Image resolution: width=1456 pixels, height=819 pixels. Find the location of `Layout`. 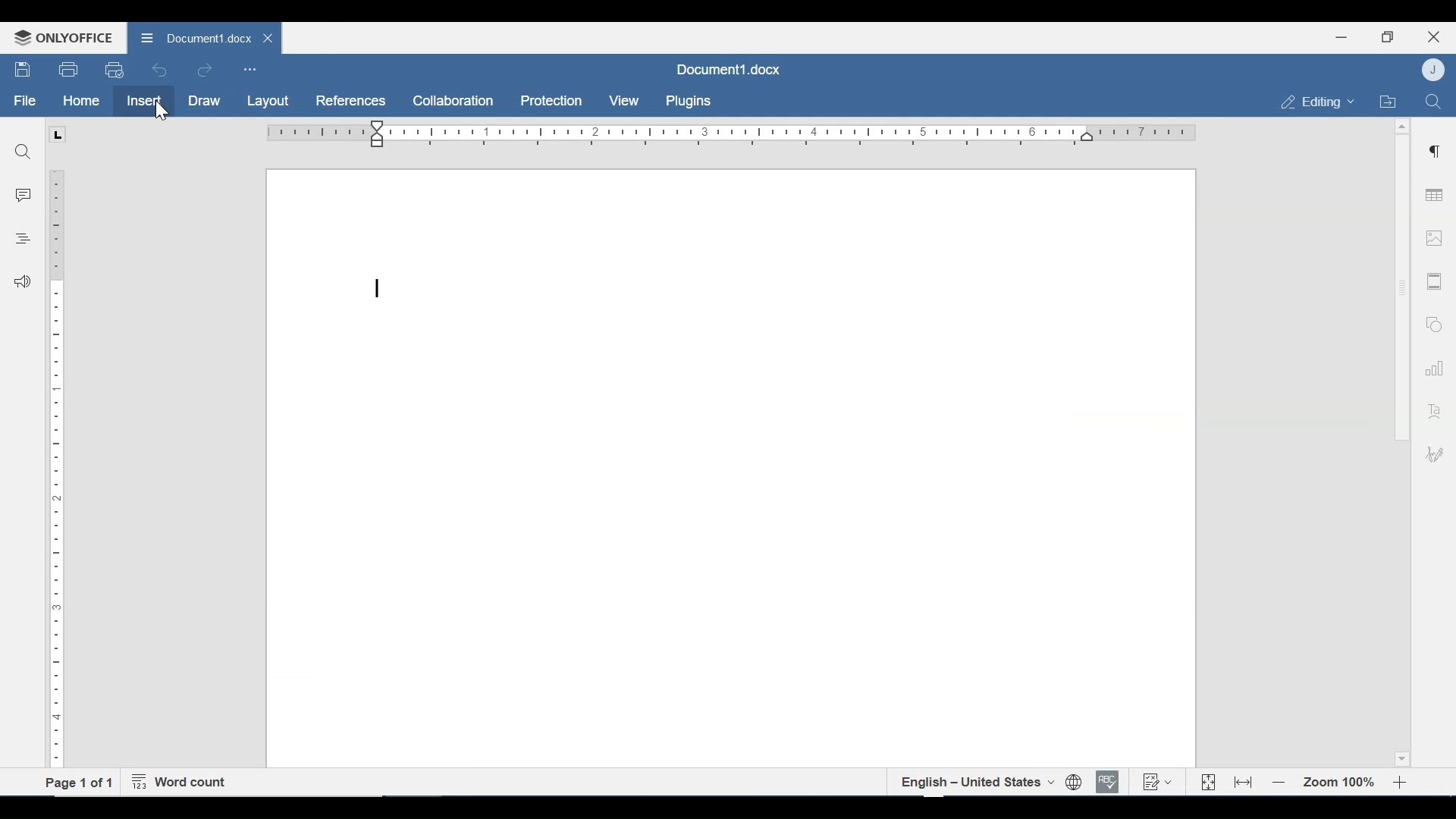

Layout is located at coordinates (268, 102).